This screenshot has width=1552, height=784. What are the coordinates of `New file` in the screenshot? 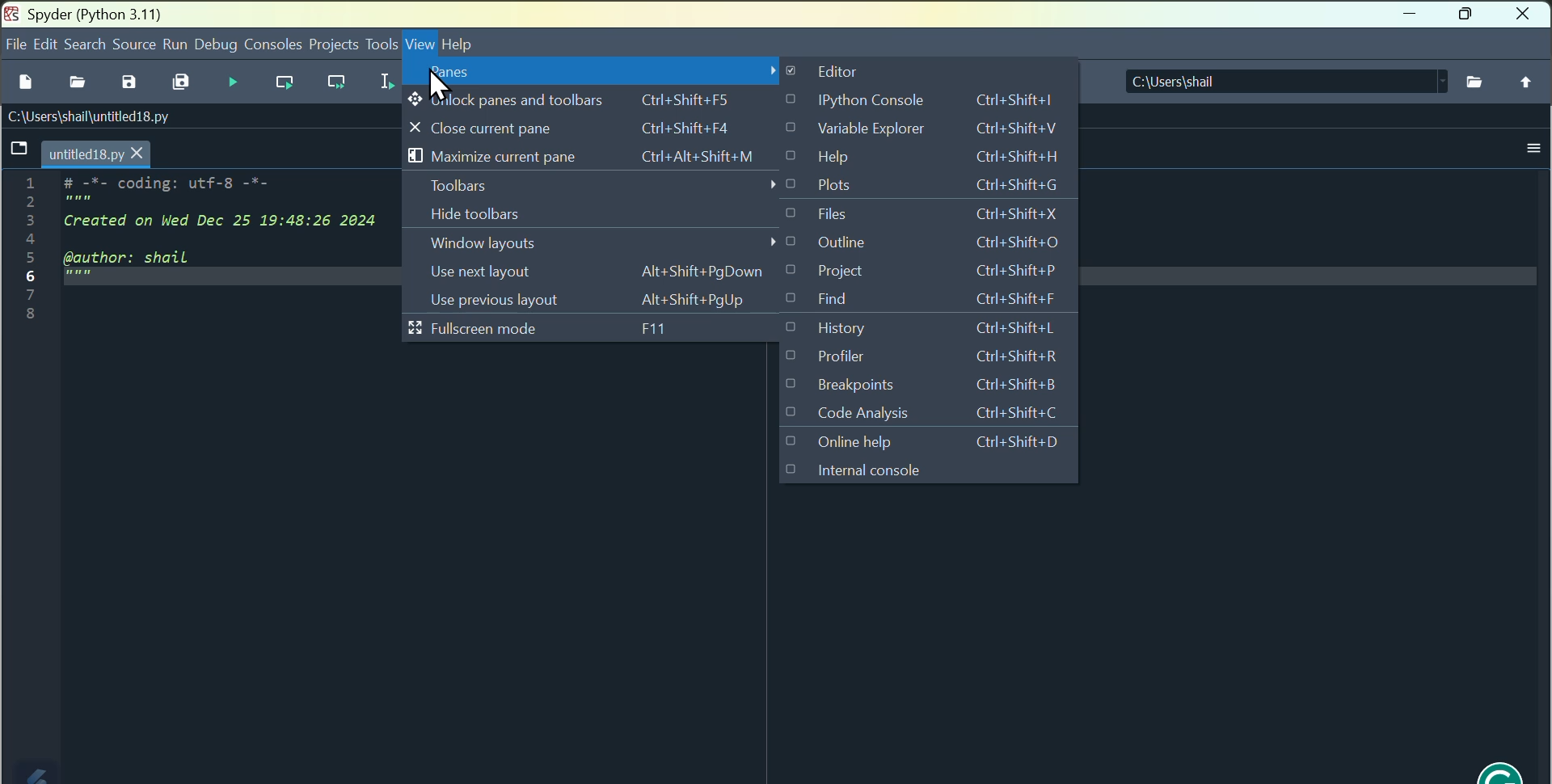 It's located at (25, 81).